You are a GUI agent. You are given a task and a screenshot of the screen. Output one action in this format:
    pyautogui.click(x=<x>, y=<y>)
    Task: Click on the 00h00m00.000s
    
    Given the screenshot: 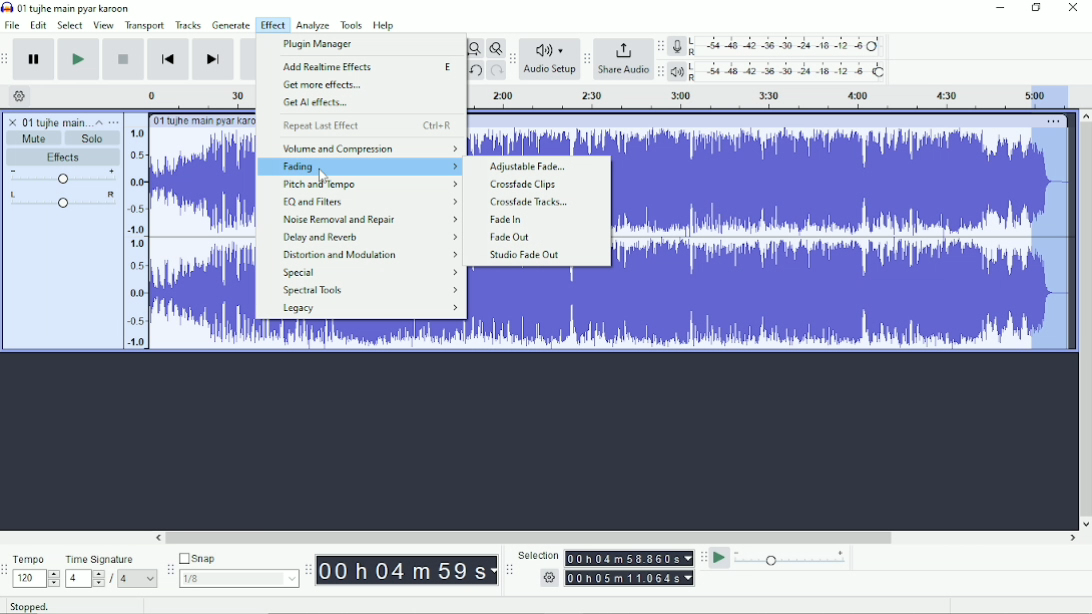 What is the action you would take?
    pyautogui.click(x=630, y=578)
    